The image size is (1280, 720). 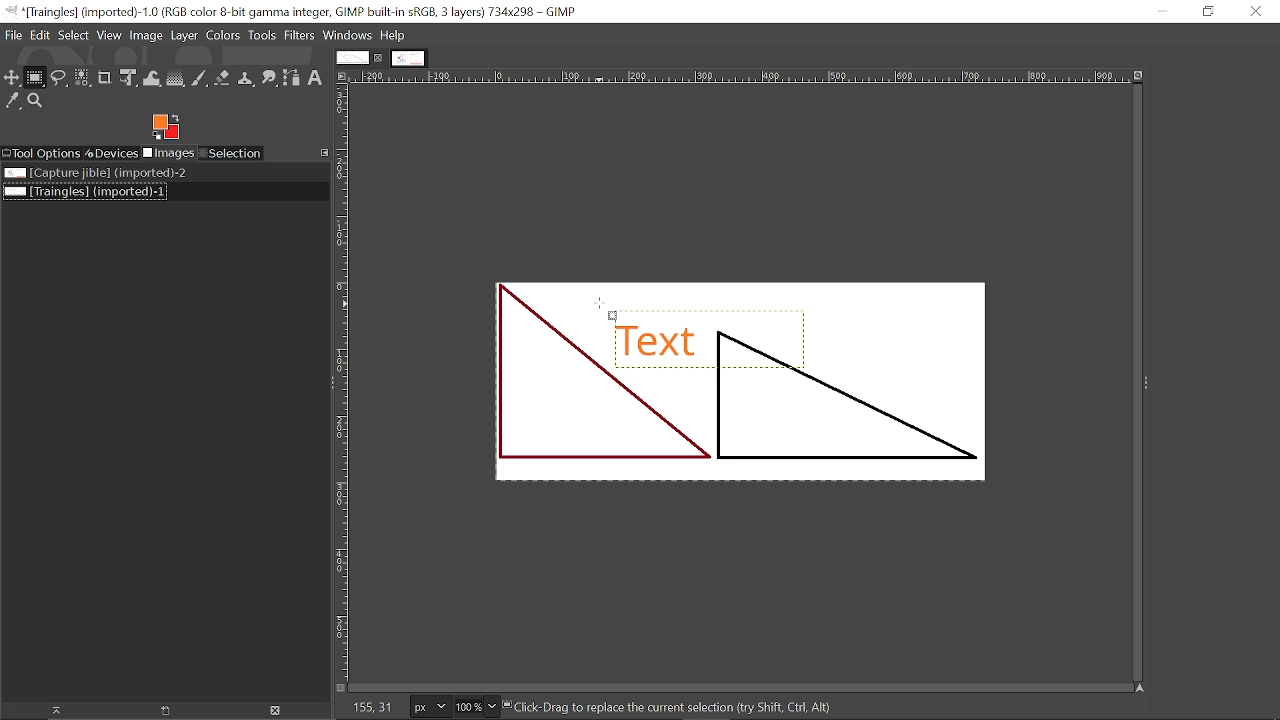 I want to click on Path tool, so click(x=292, y=79).